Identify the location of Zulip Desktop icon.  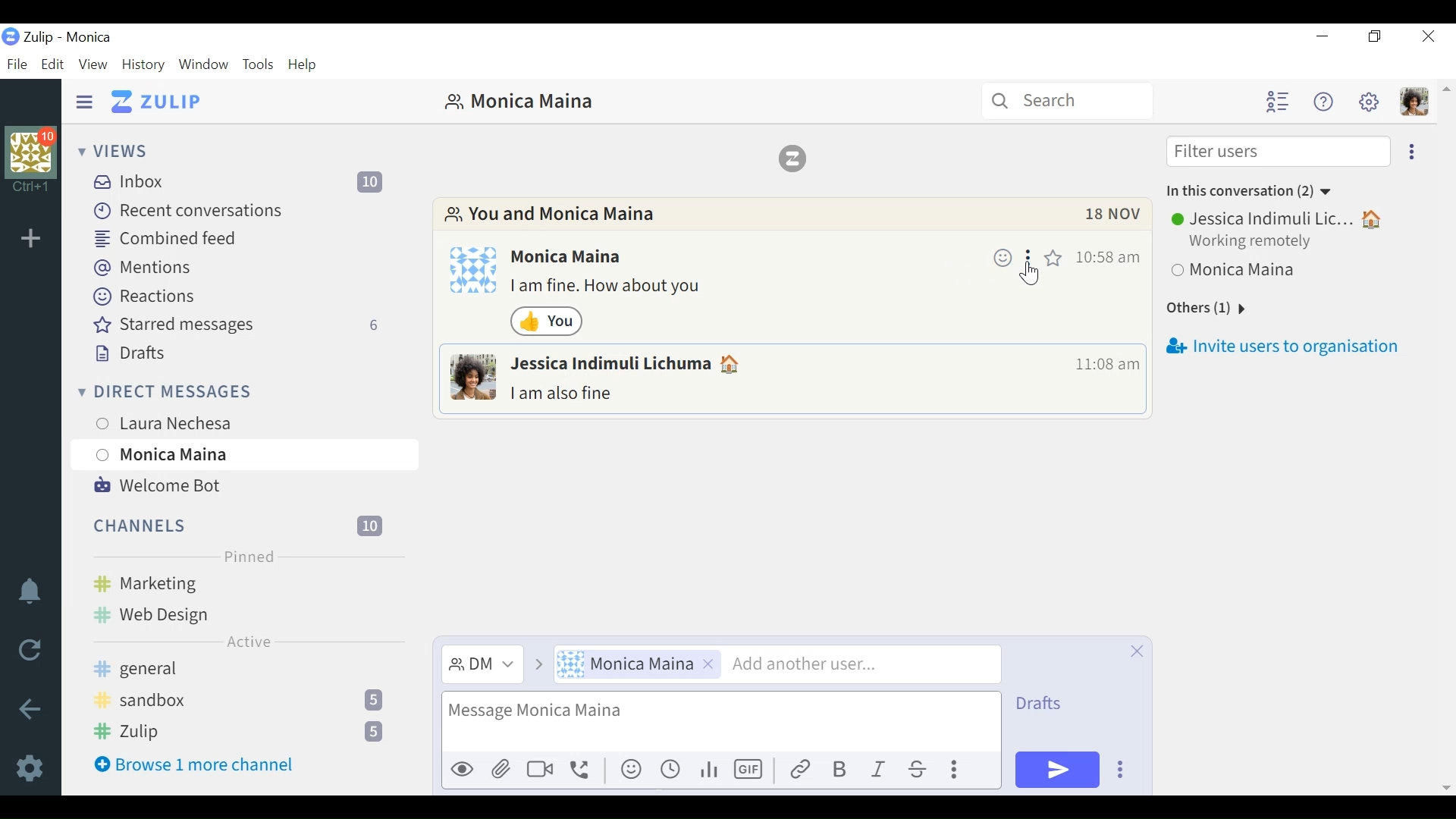
(11, 38).